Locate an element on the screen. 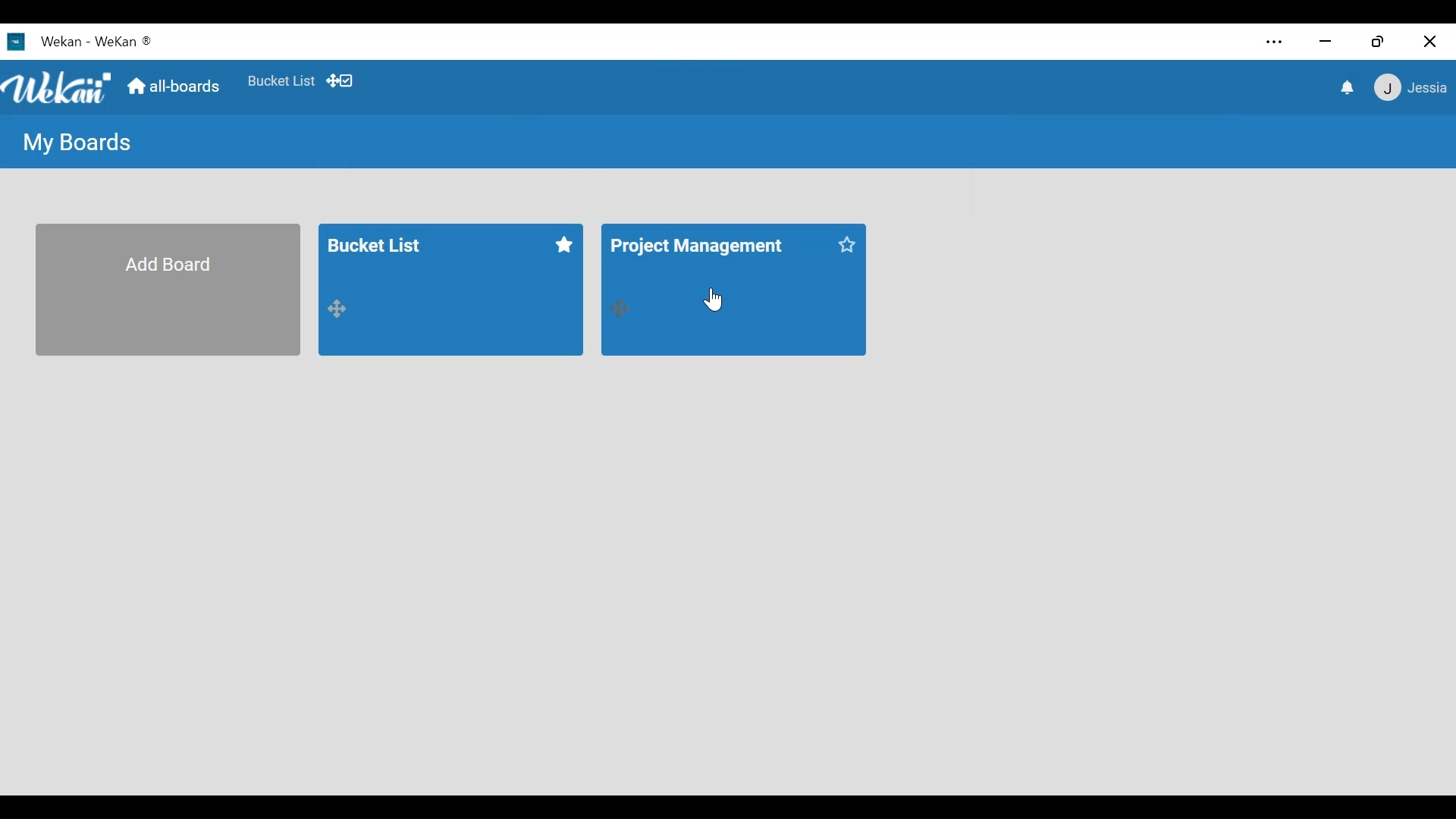  Cursor is located at coordinates (712, 297).